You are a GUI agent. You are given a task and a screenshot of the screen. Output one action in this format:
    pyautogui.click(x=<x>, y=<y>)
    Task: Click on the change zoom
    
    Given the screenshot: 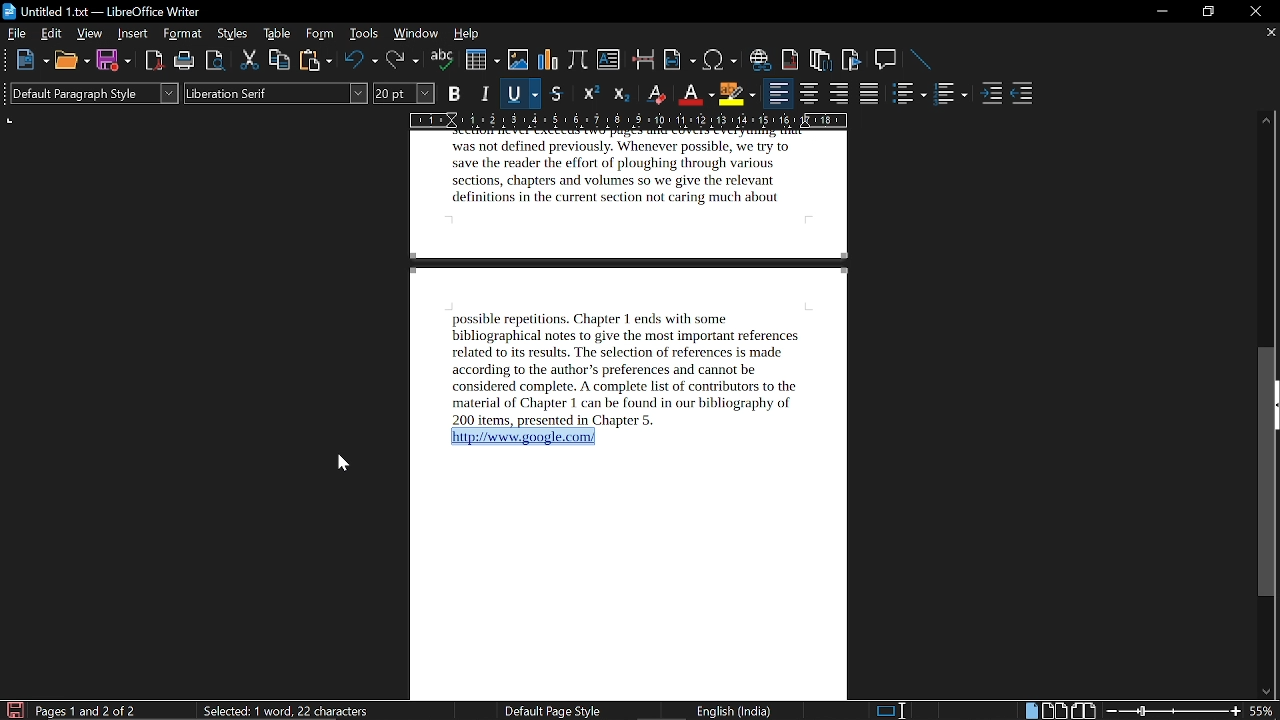 What is the action you would take?
    pyautogui.click(x=1172, y=711)
    